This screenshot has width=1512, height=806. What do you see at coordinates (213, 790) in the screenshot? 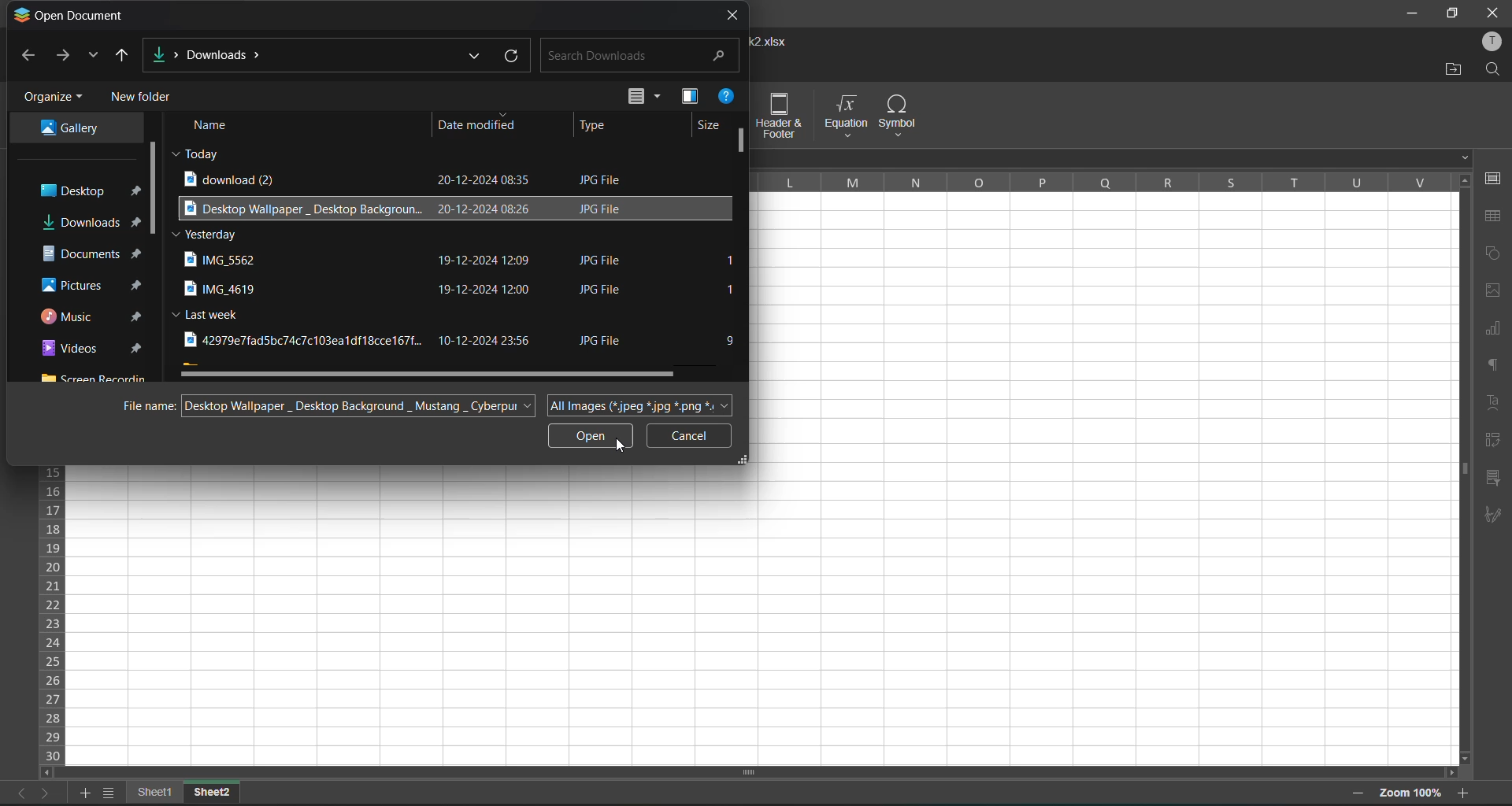
I see `sheet2` at bounding box center [213, 790].